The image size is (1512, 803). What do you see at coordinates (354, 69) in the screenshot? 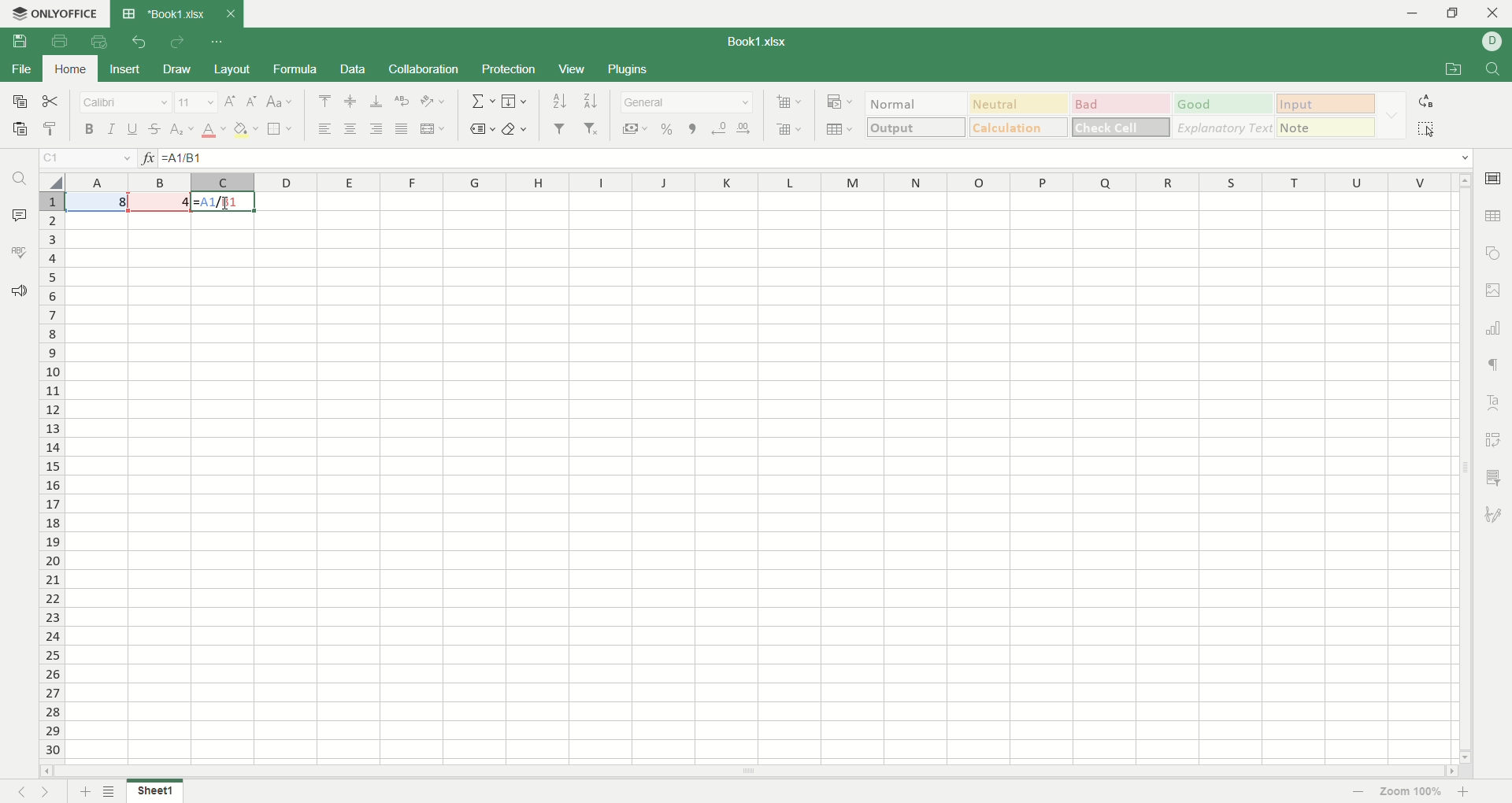
I see `data` at bounding box center [354, 69].